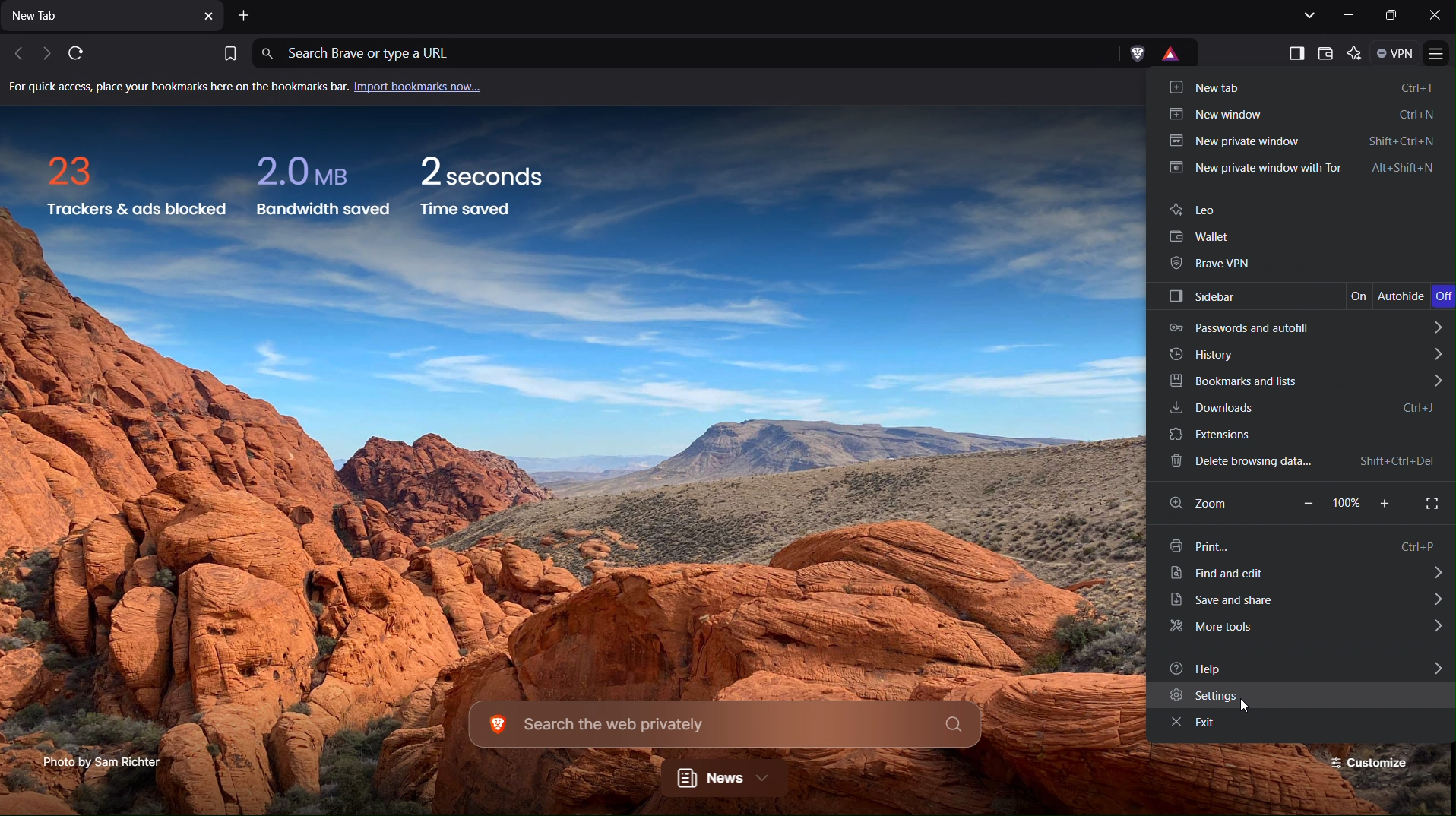 The width and height of the screenshot is (1456, 816). Describe the element at coordinates (1243, 704) in the screenshot. I see `` at that location.